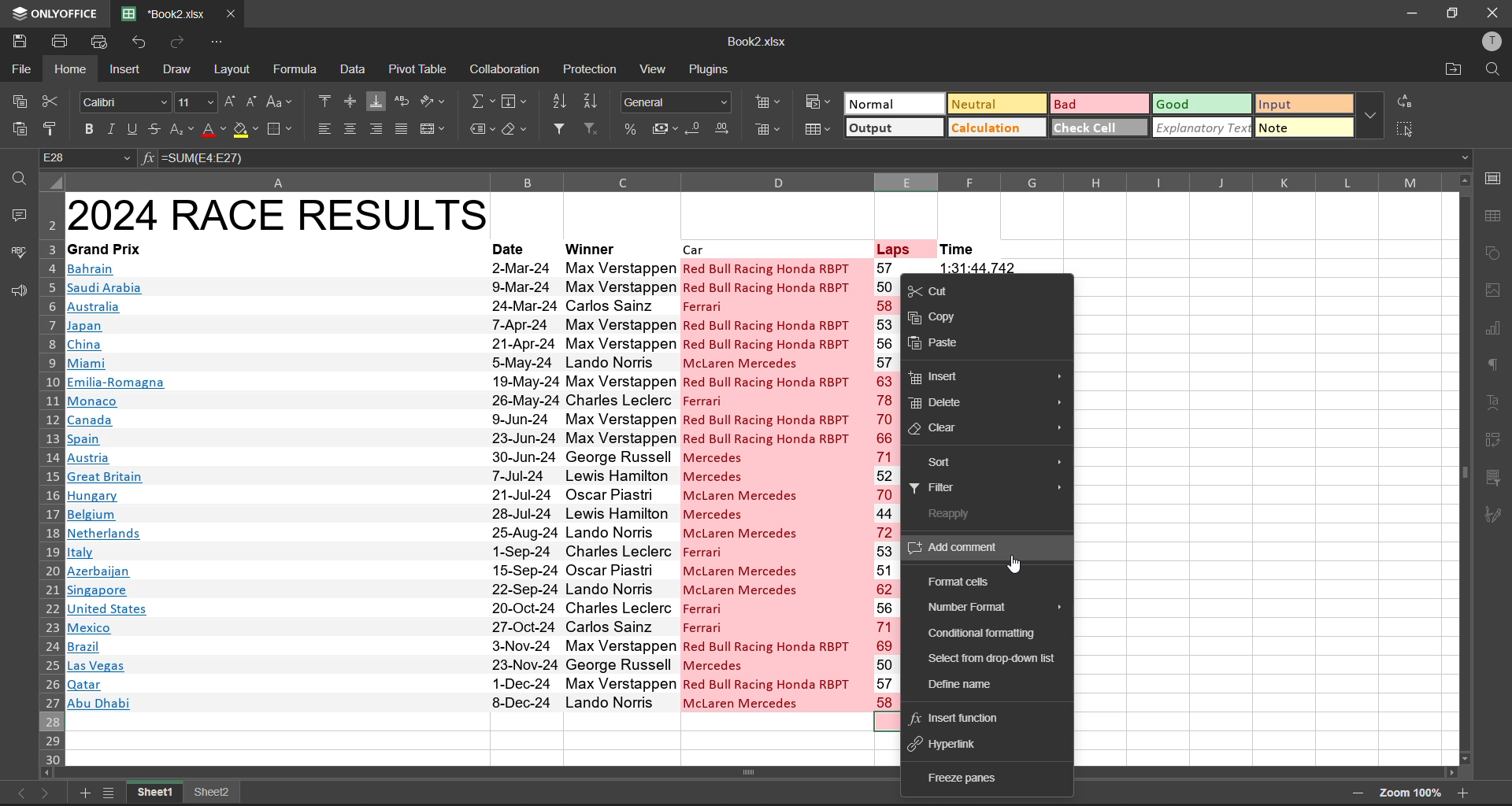 The width and height of the screenshot is (1512, 806). Describe the element at coordinates (984, 379) in the screenshot. I see `insert` at that location.